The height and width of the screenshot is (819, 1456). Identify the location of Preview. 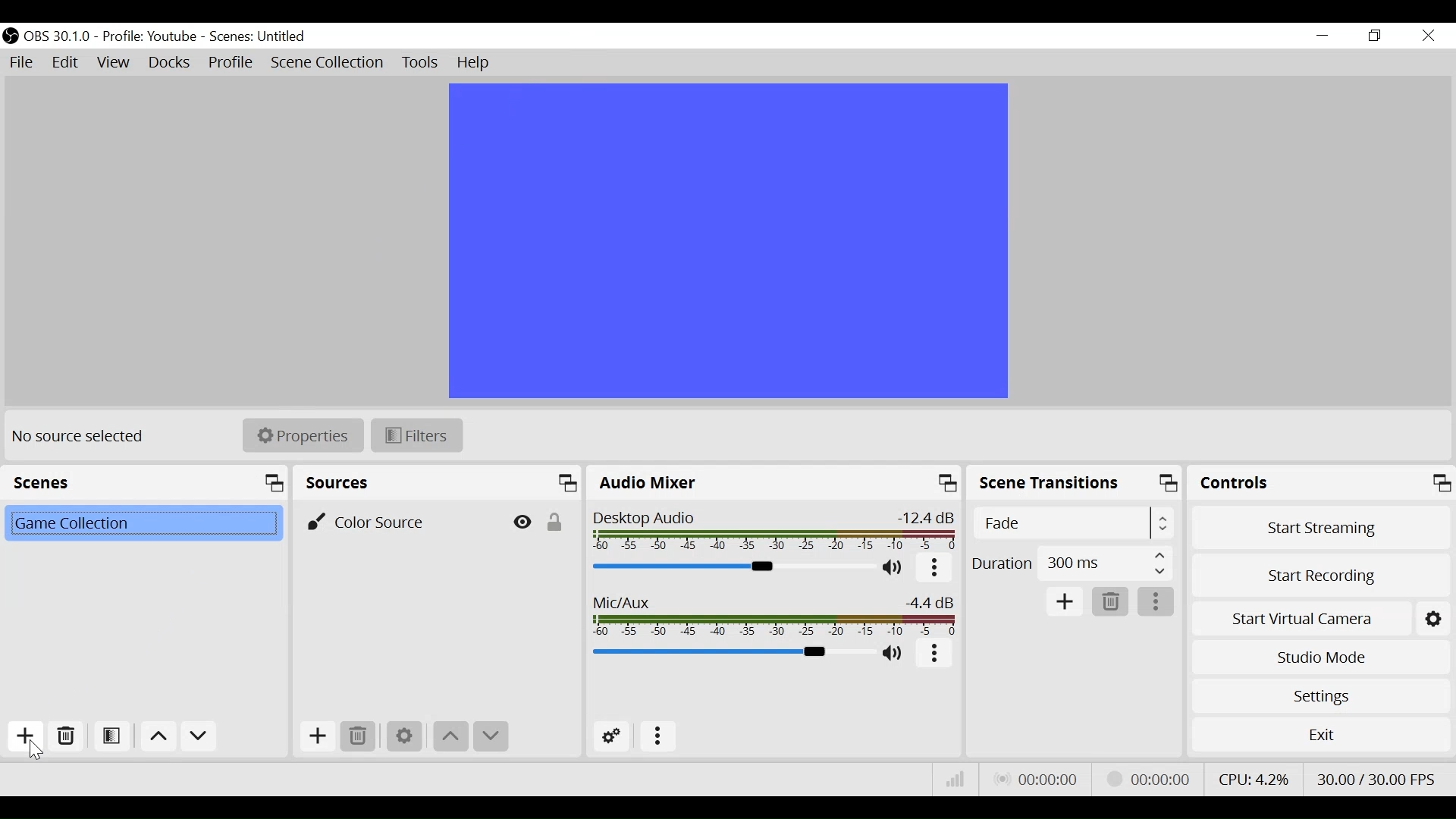
(730, 241).